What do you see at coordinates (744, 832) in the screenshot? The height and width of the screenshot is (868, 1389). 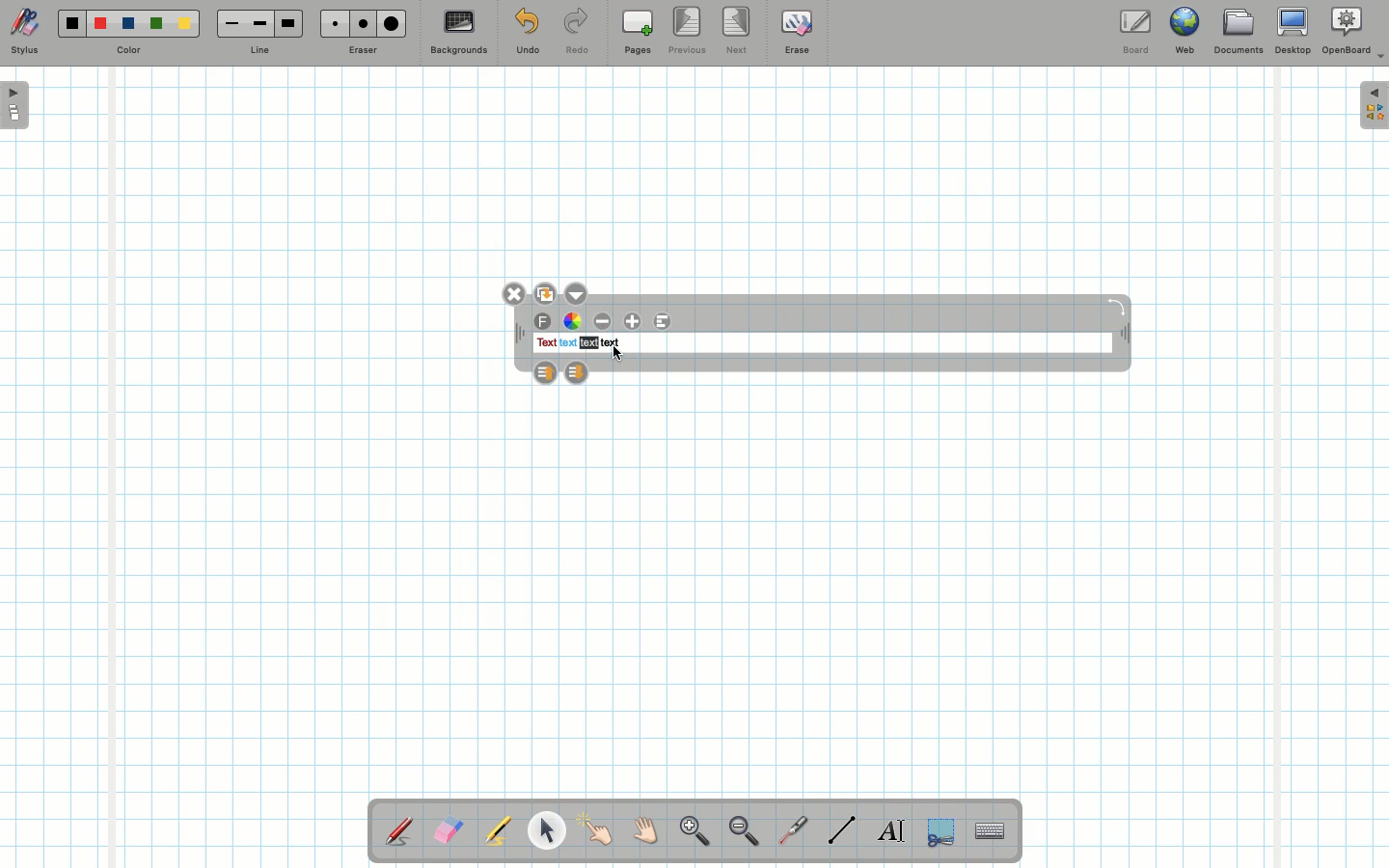 I see `Zoom out` at bounding box center [744, 832].